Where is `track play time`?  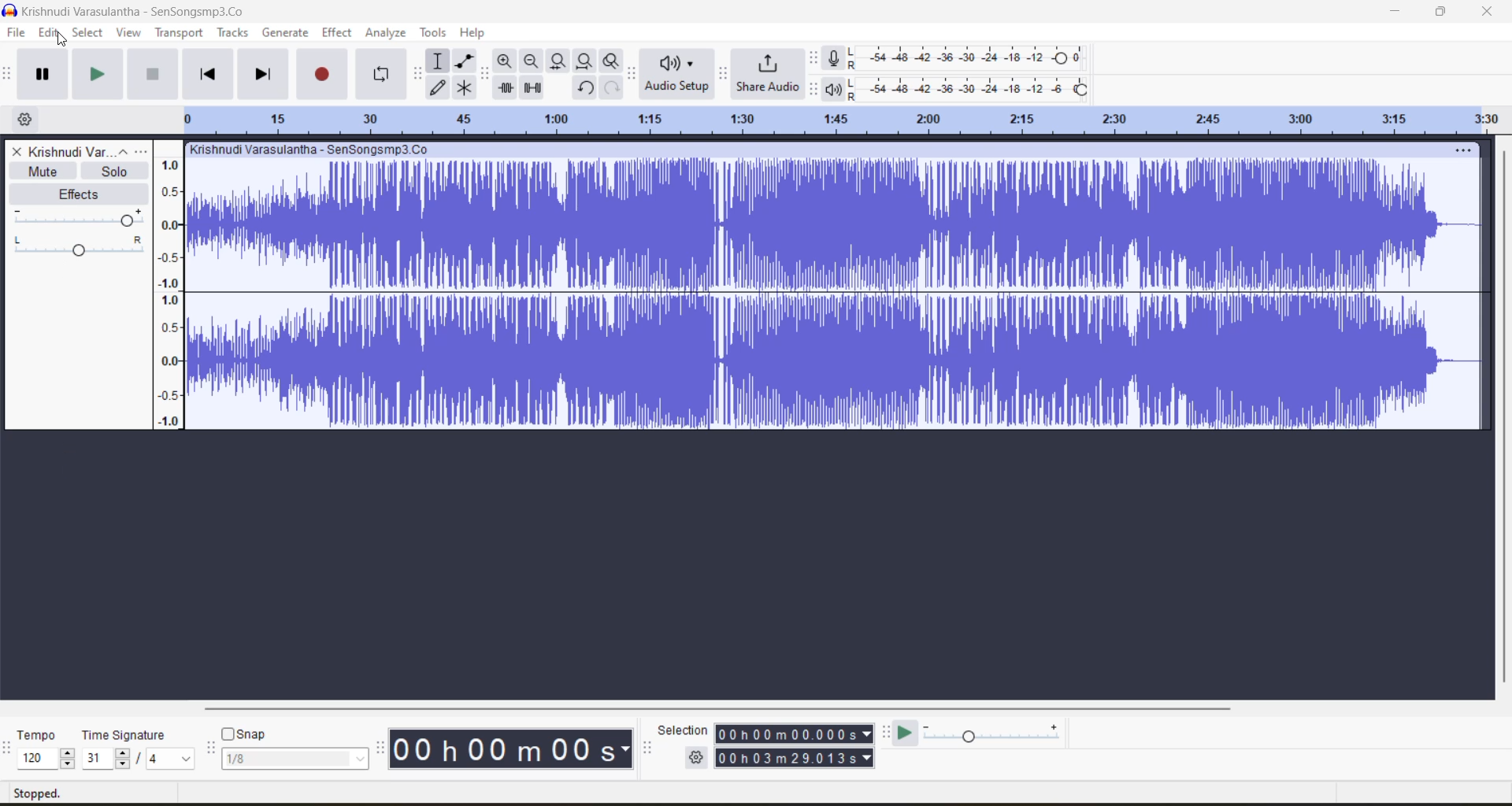 track play time is located at coordinates (795, 747).